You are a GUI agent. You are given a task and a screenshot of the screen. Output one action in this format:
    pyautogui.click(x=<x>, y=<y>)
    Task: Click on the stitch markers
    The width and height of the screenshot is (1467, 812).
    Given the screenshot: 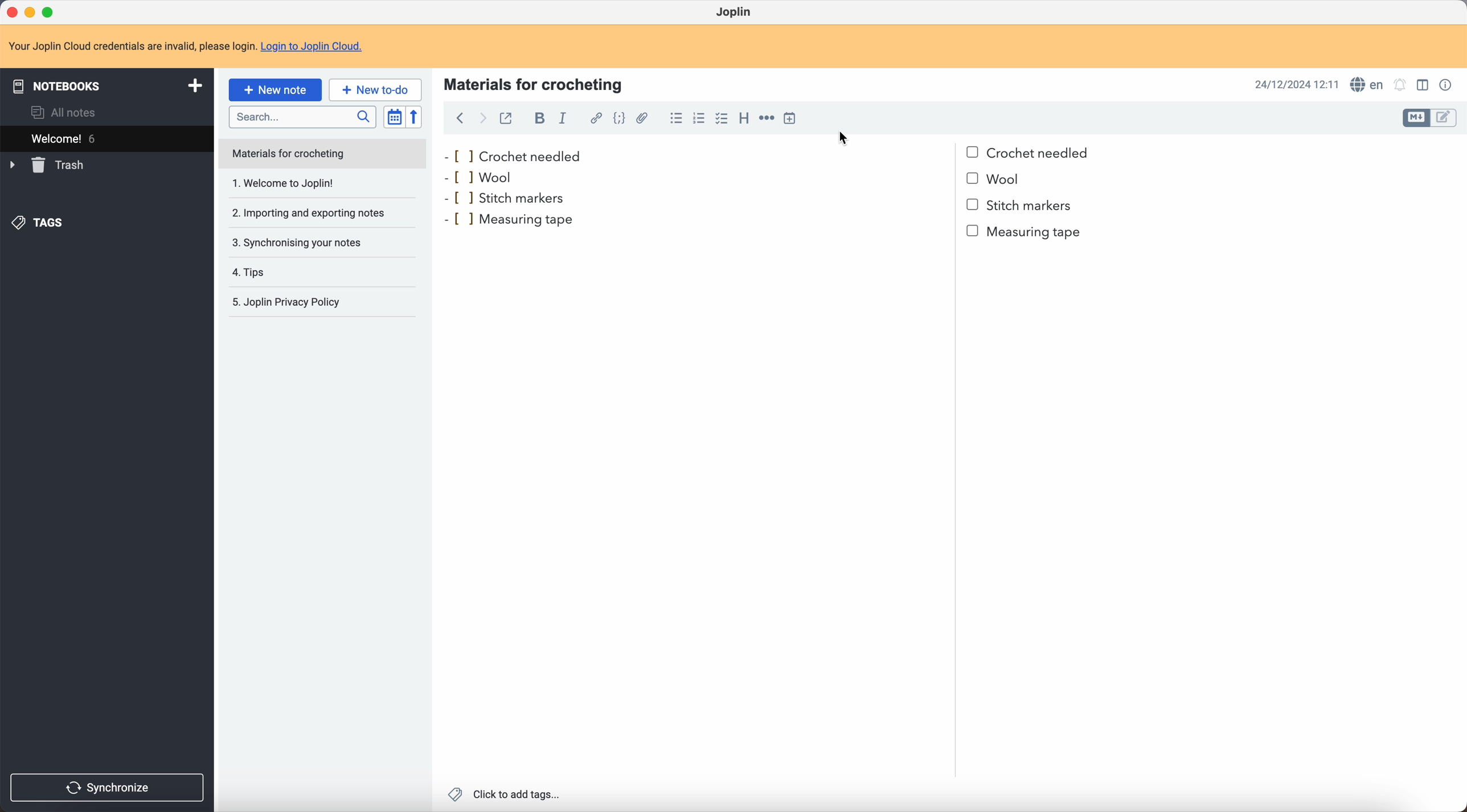 What is the action you would take?
    pyautogui.click(x=524, y=199)
    